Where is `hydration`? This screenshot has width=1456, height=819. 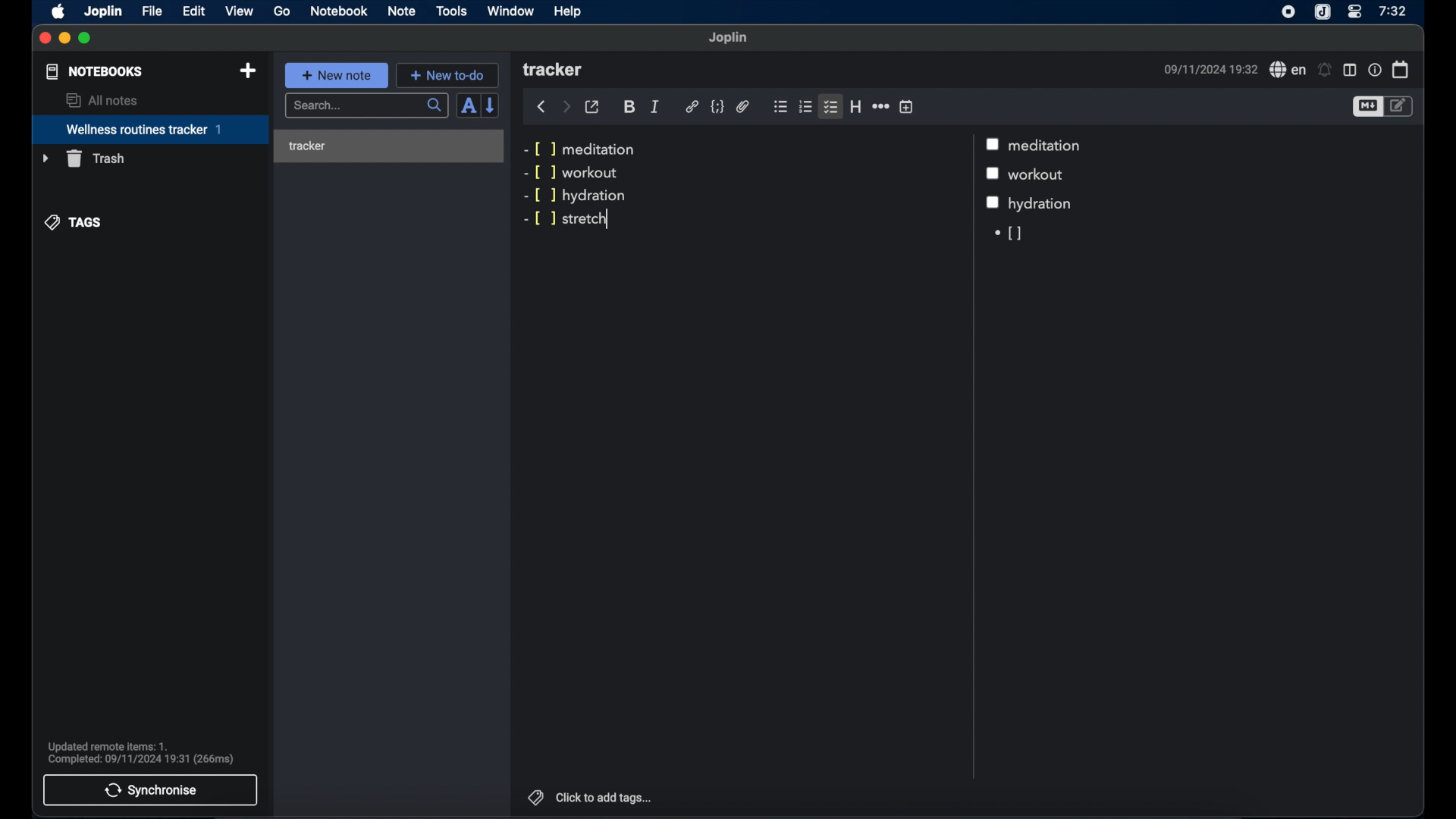 hydration is located at coordinates (1043, 205).